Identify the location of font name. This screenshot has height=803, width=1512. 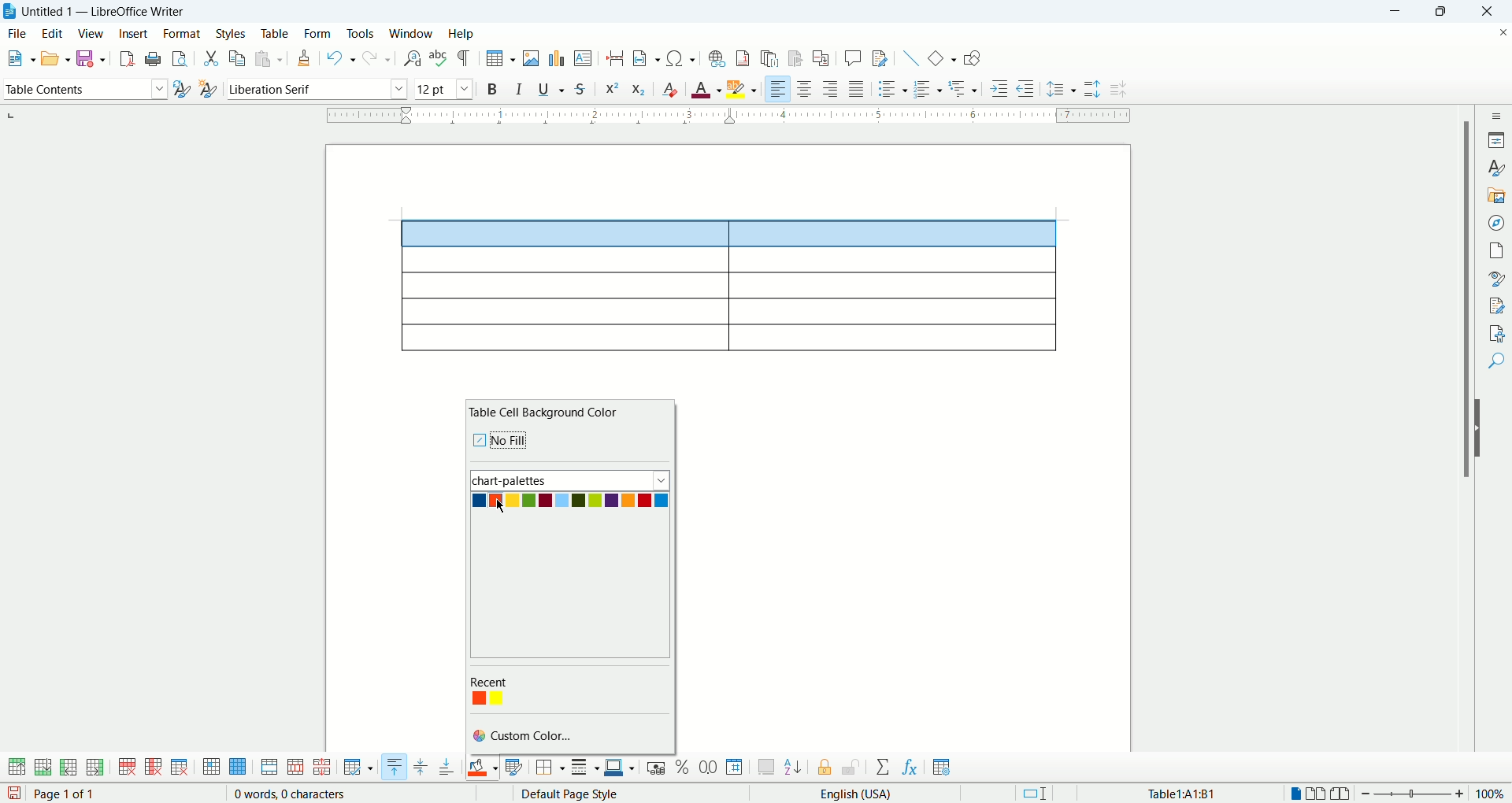
(315, 89).